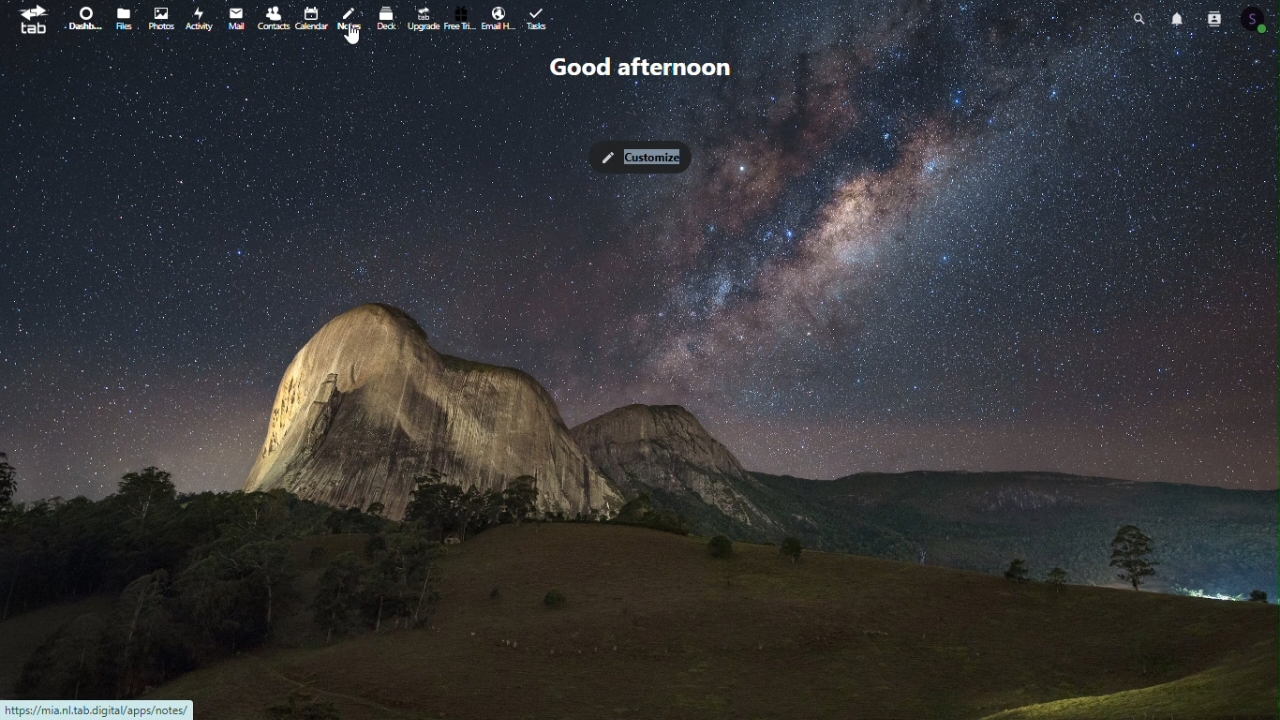 The width and height of the screenshot is (1280, 720). I want to click on deck, so click(386, 17).